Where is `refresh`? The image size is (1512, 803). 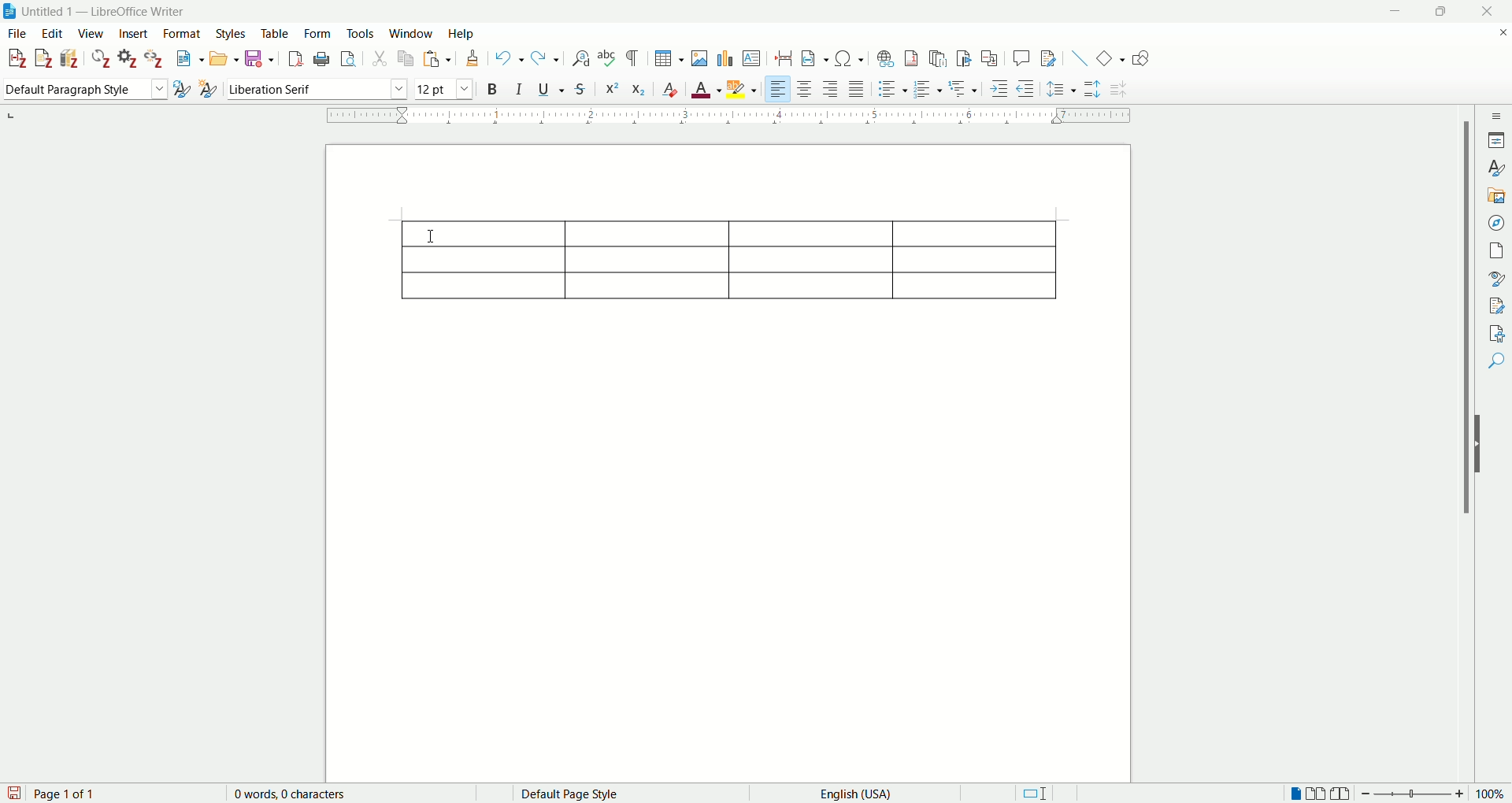
refresh is located at coordinates (101, 56).